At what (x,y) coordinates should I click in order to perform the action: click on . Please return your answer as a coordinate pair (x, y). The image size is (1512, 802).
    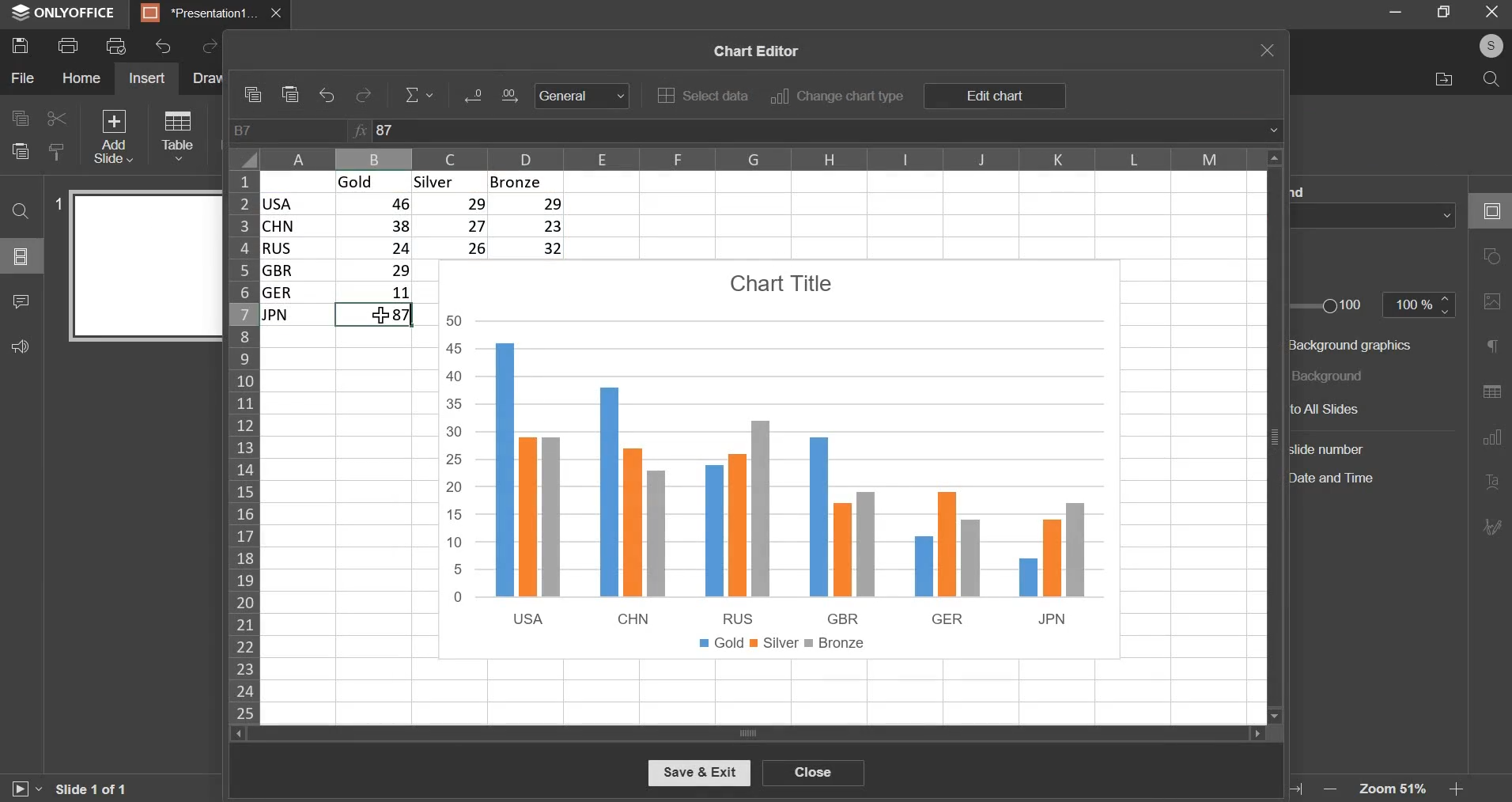
    Looking at the image, I should click on (472, 98).